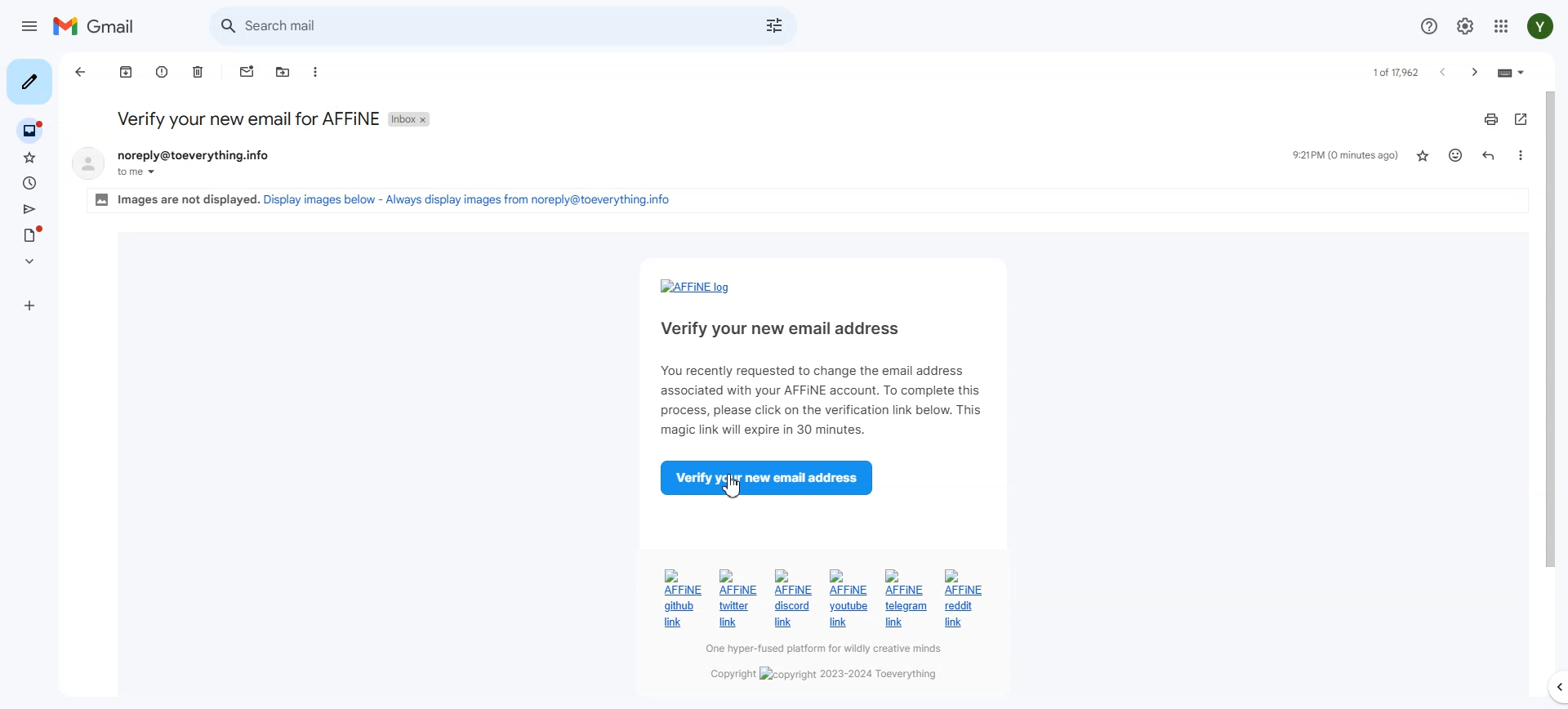 This screenshot has height=709, width=1568. Describe the element at coordinates (1465, 26) in the screenshot. I see `Setting` at that location.